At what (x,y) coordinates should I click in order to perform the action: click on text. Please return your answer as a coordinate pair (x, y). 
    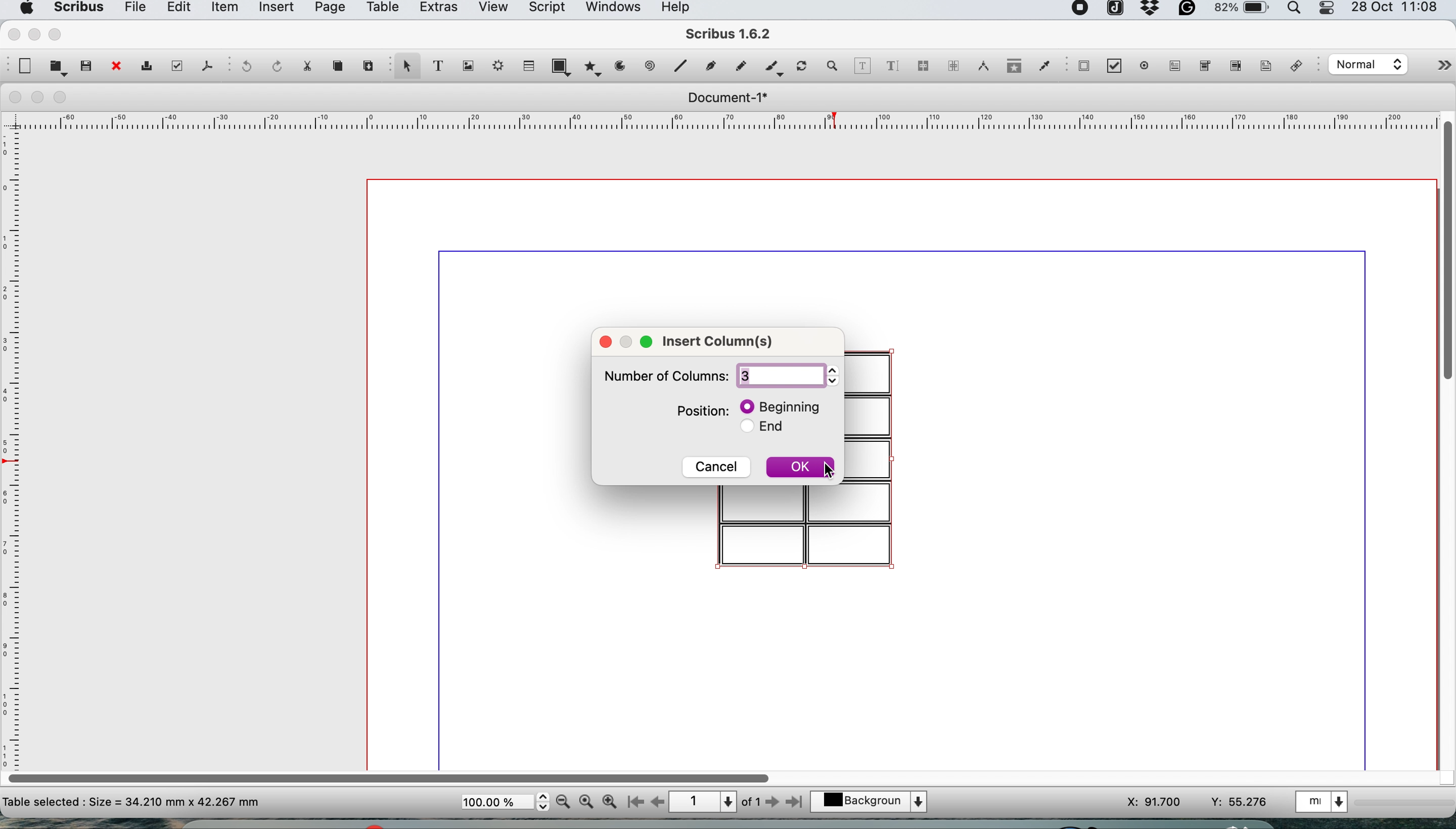
    Looking at the image, I should click on (132, 801).